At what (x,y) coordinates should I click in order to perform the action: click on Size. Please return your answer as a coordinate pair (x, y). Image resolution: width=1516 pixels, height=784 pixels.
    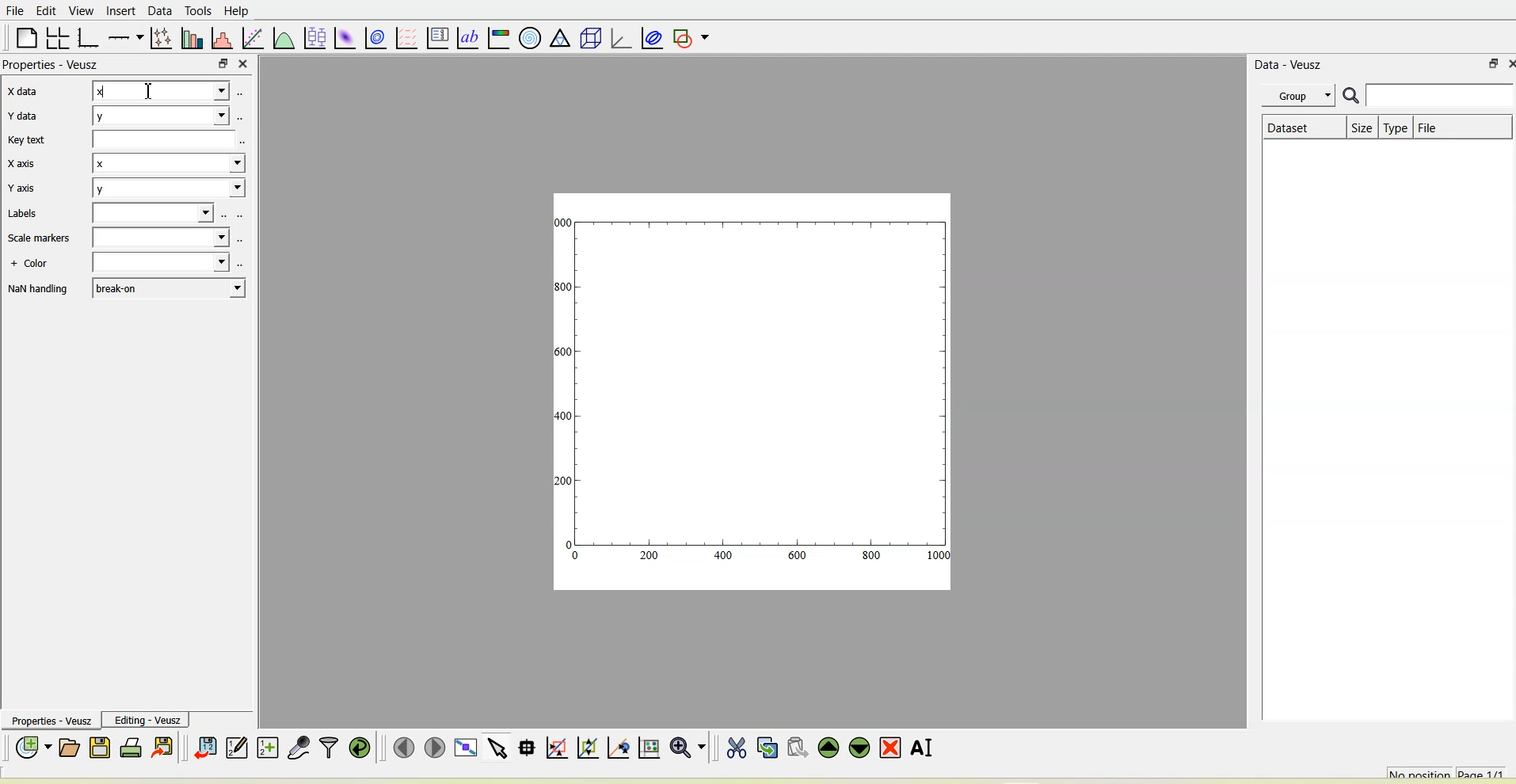
    Looking at the image, I should click on (1362, 127).